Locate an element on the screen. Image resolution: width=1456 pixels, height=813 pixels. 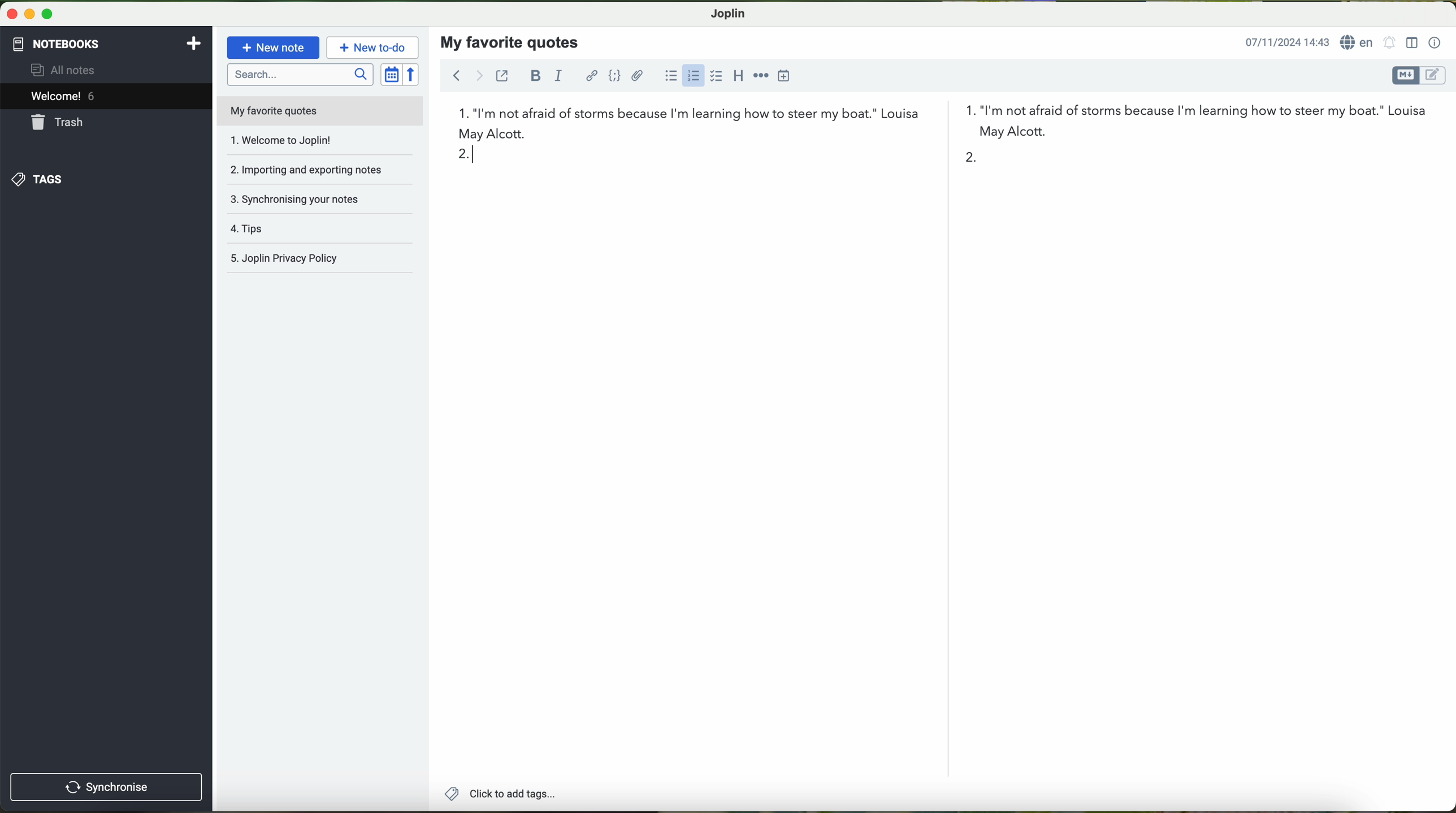
heading is located at coordinates (740, 77).